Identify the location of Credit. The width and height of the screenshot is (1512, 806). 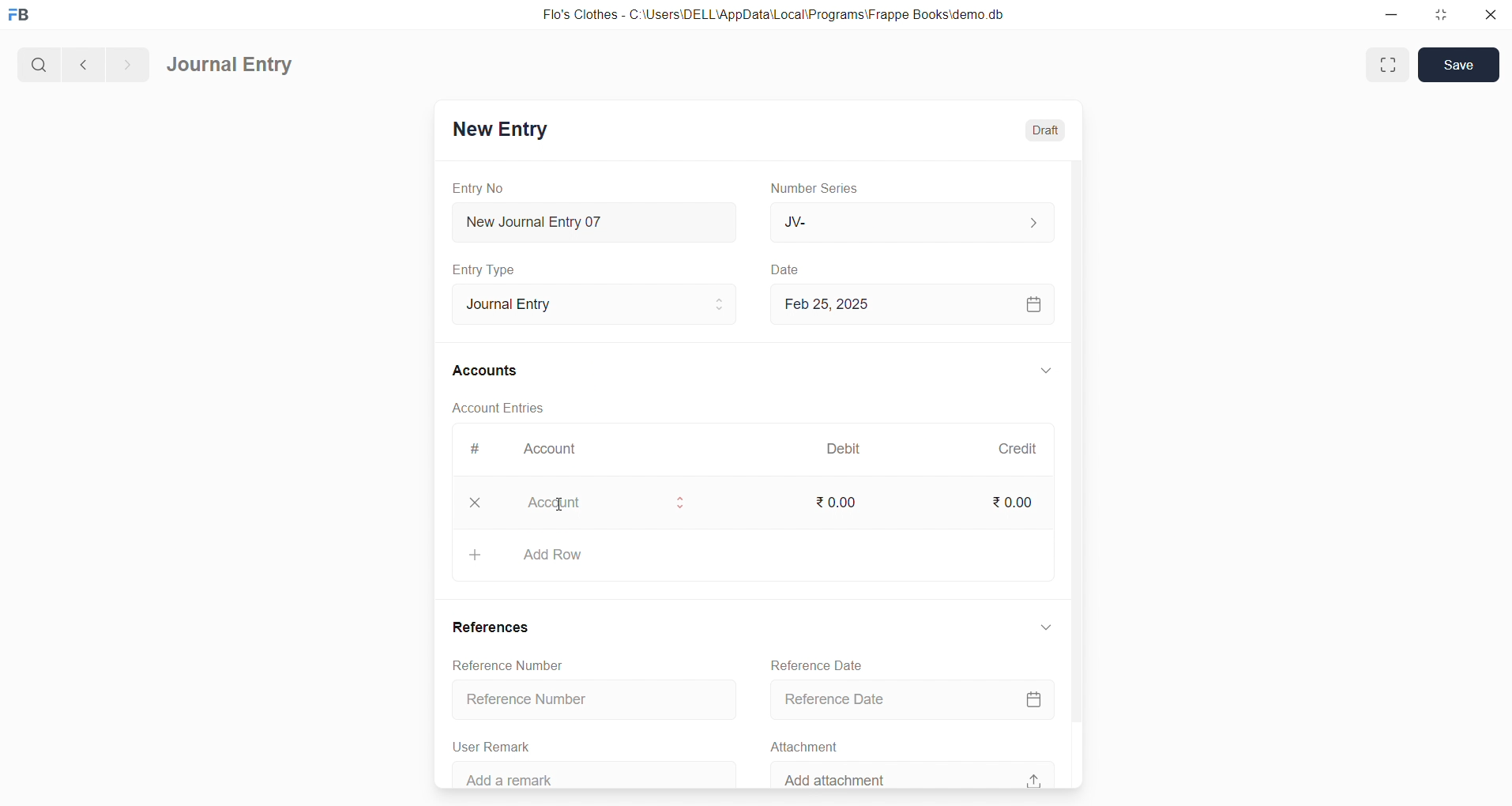
(1017, 448).